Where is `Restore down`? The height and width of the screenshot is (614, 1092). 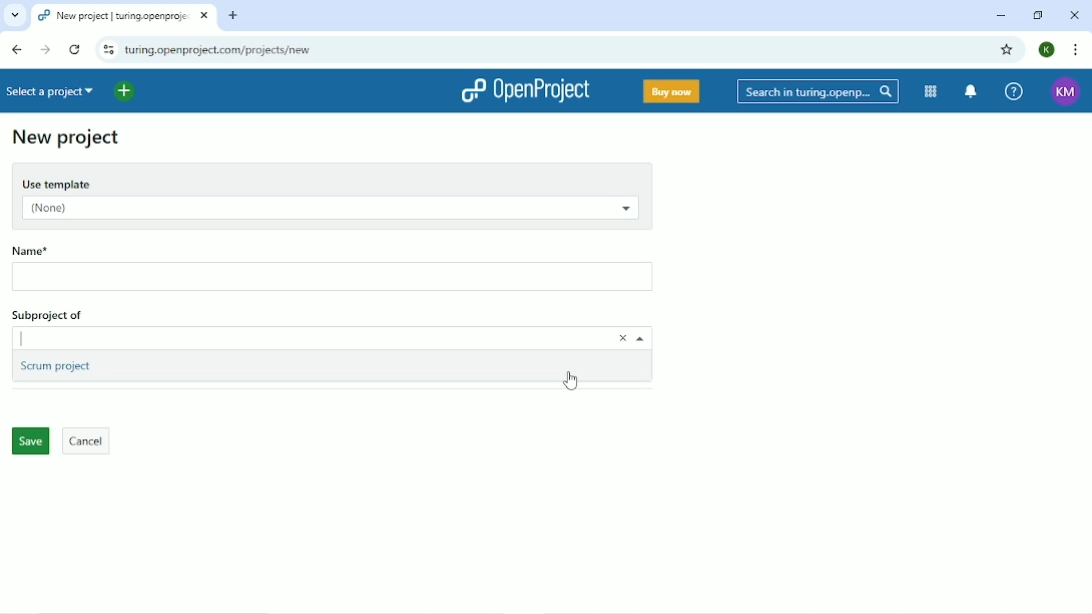 Restore down is located at coordinates (1041, 16).